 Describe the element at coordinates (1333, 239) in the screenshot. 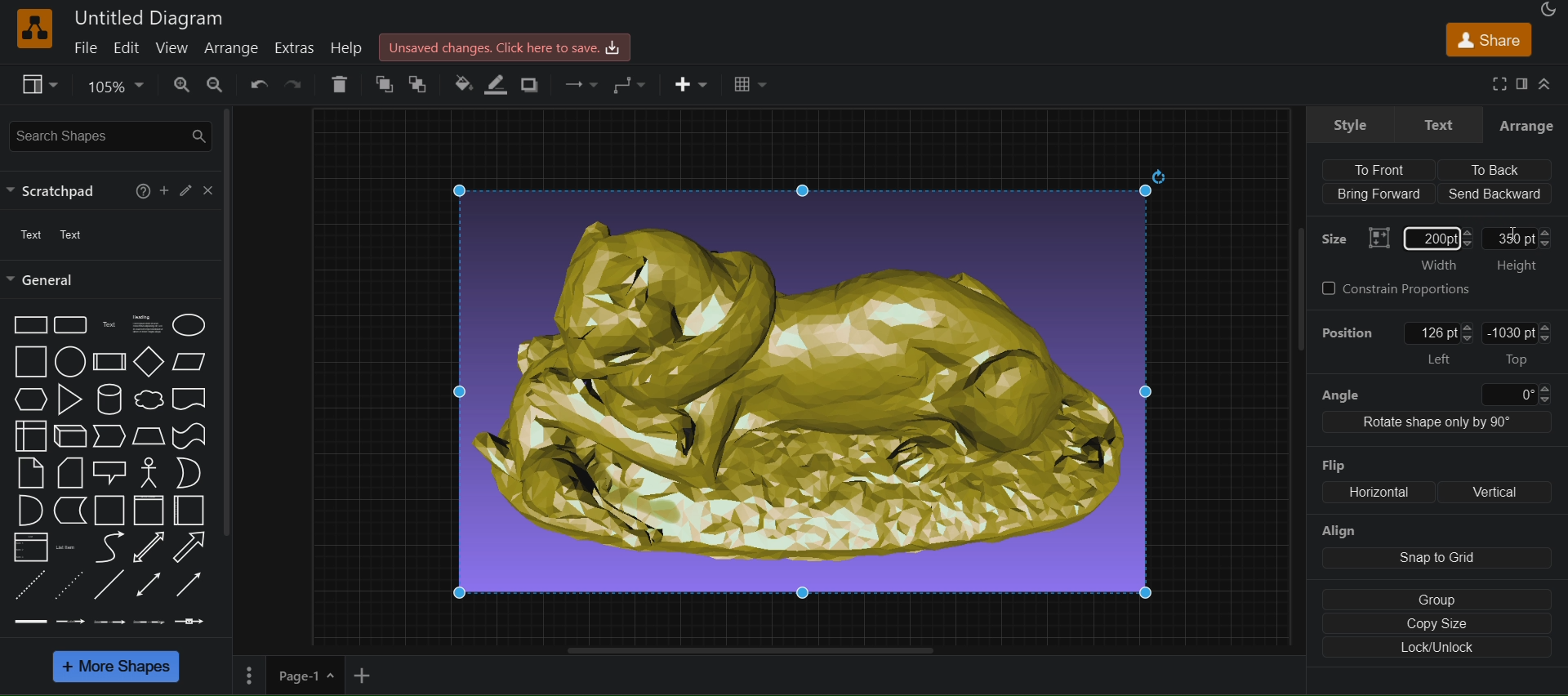

I see `Size` at that location.